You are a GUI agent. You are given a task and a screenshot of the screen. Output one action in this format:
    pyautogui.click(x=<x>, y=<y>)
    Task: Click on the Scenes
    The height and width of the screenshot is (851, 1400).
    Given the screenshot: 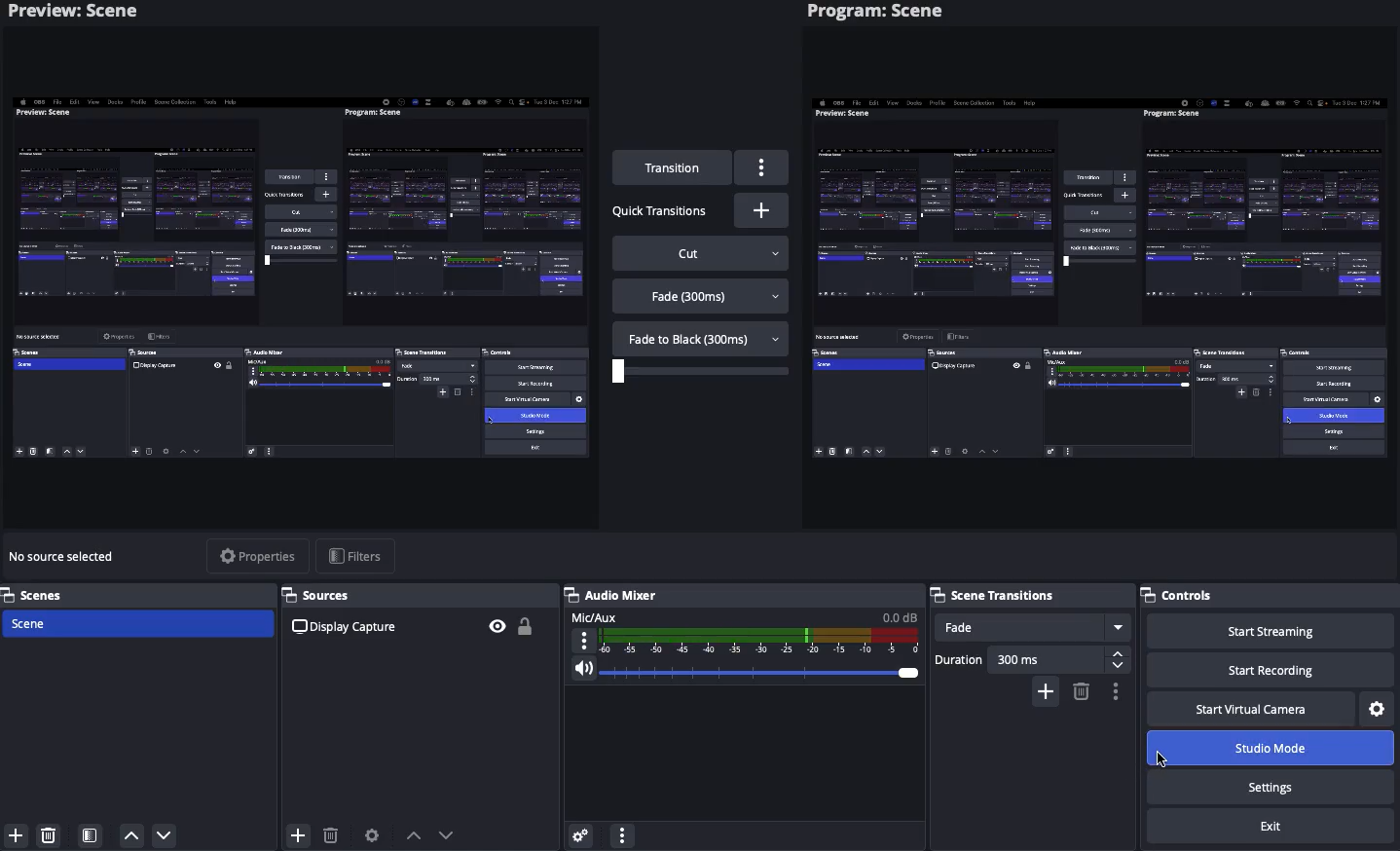 What is the action you would take?
    pyautogui.click(x=135, y=622)
    